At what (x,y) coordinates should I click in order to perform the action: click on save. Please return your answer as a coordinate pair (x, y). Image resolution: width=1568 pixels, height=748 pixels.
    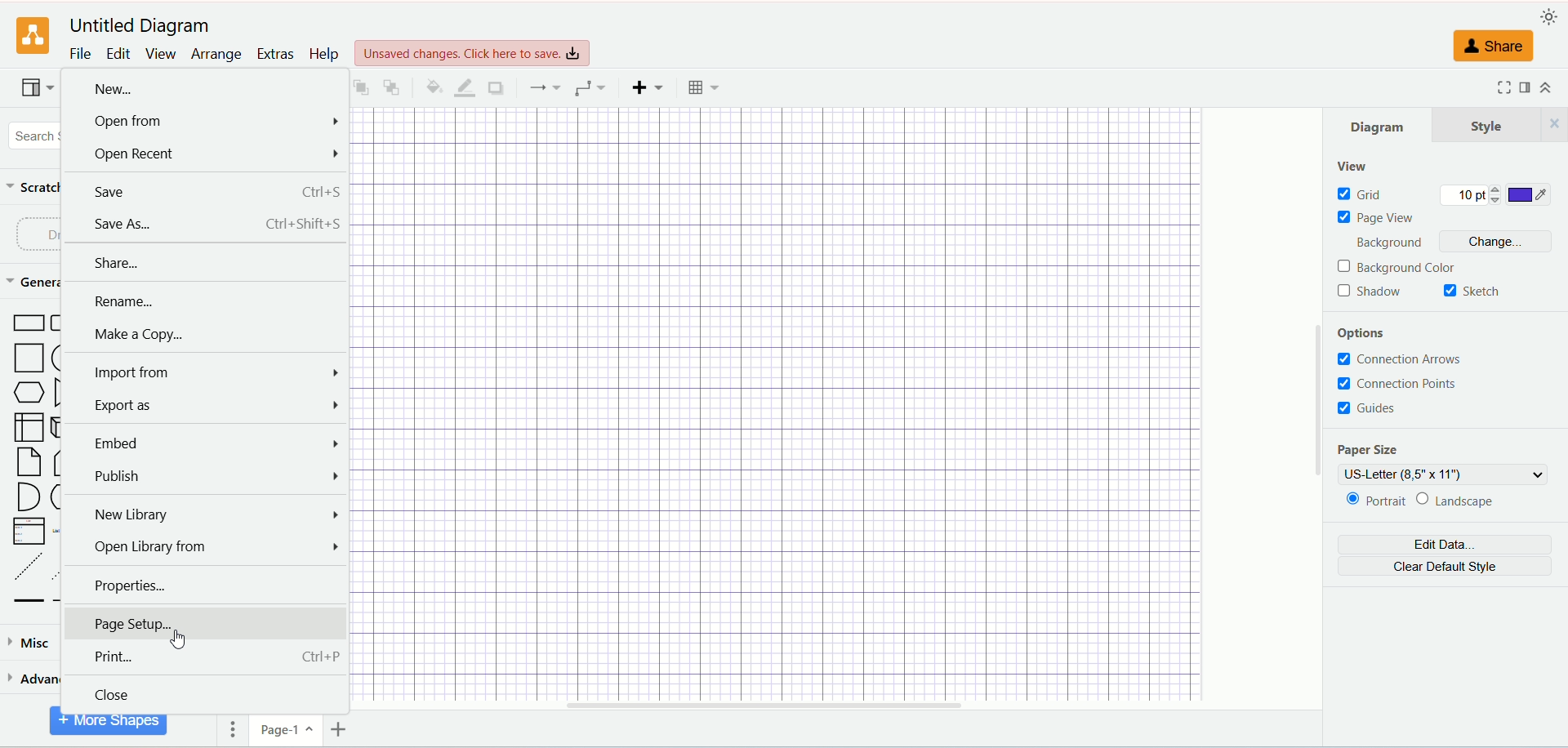
    Looking at the image, I should click on (204, 191).